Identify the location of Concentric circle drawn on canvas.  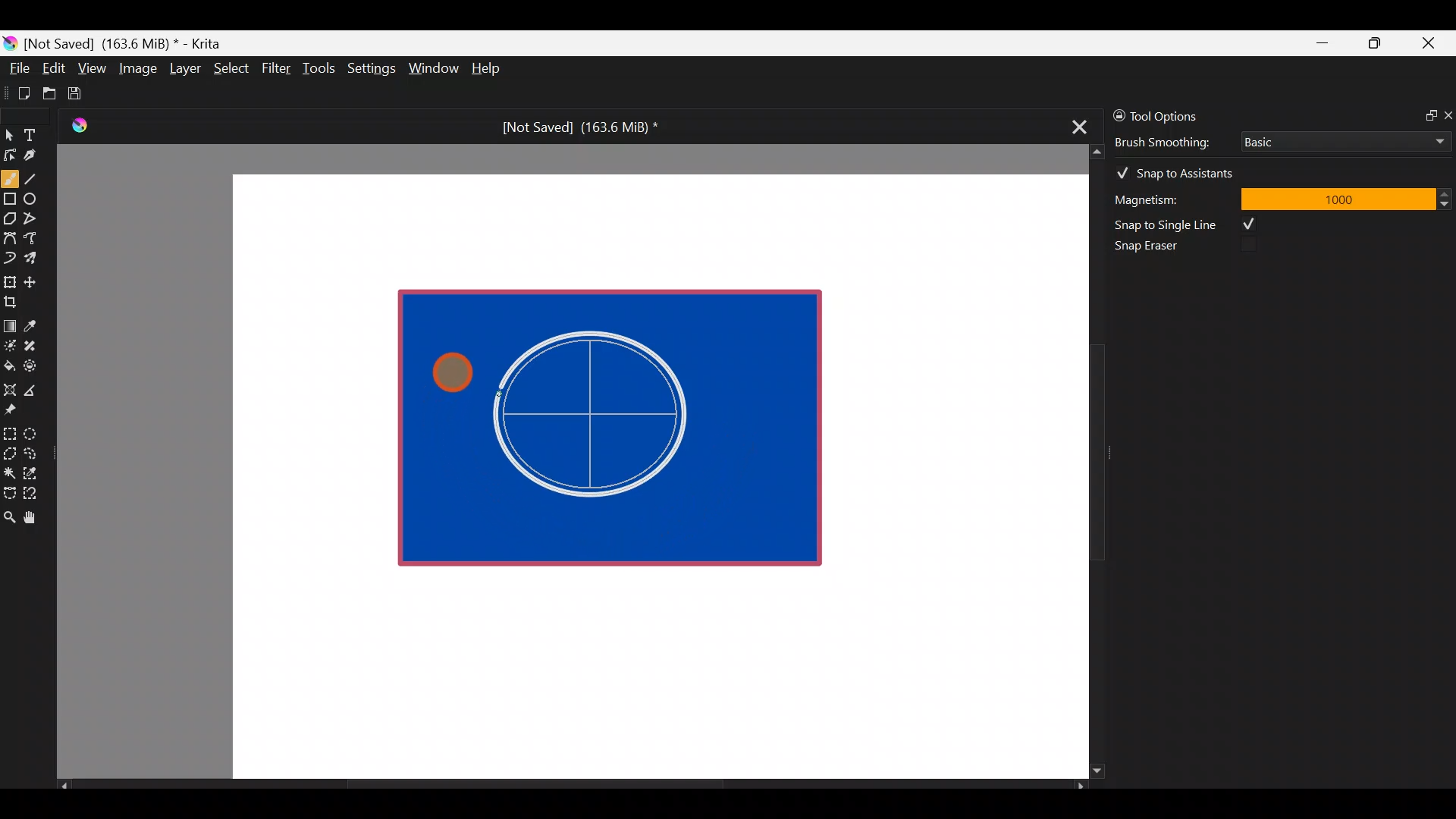
(601, 414).